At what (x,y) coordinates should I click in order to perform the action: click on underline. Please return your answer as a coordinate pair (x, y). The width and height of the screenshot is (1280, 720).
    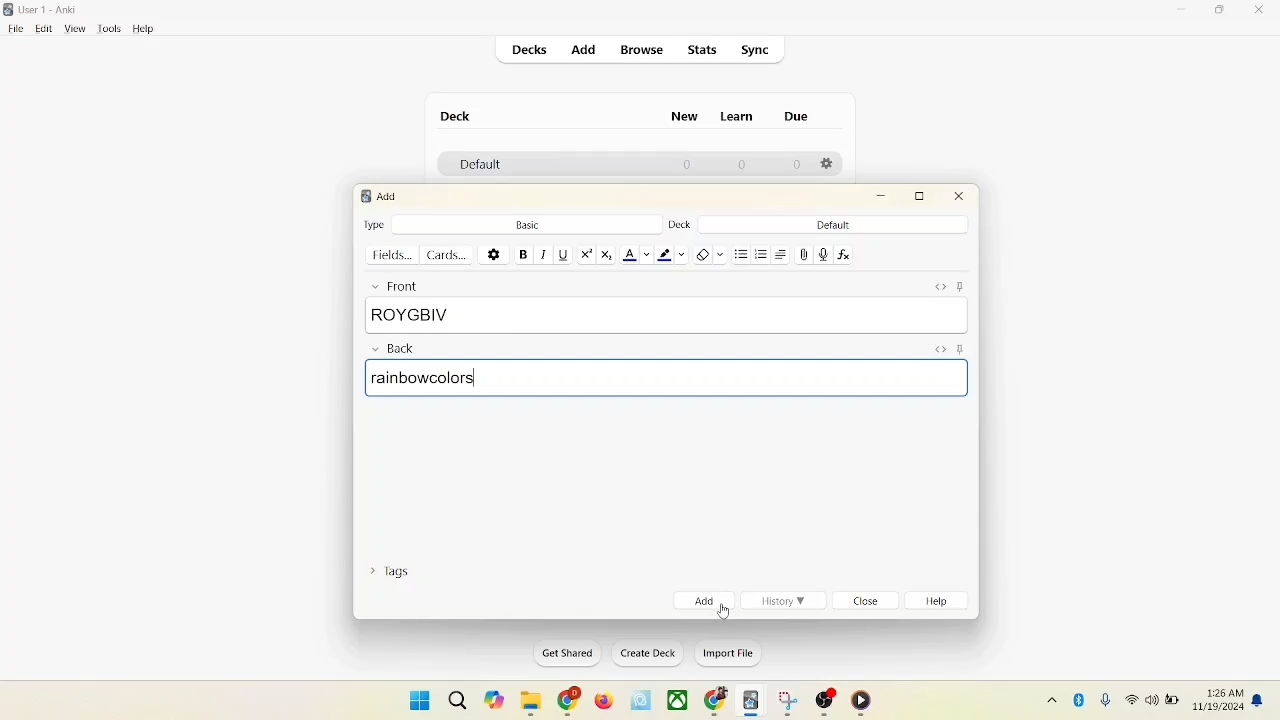
    Looking at the image, I should click on (562, 254).